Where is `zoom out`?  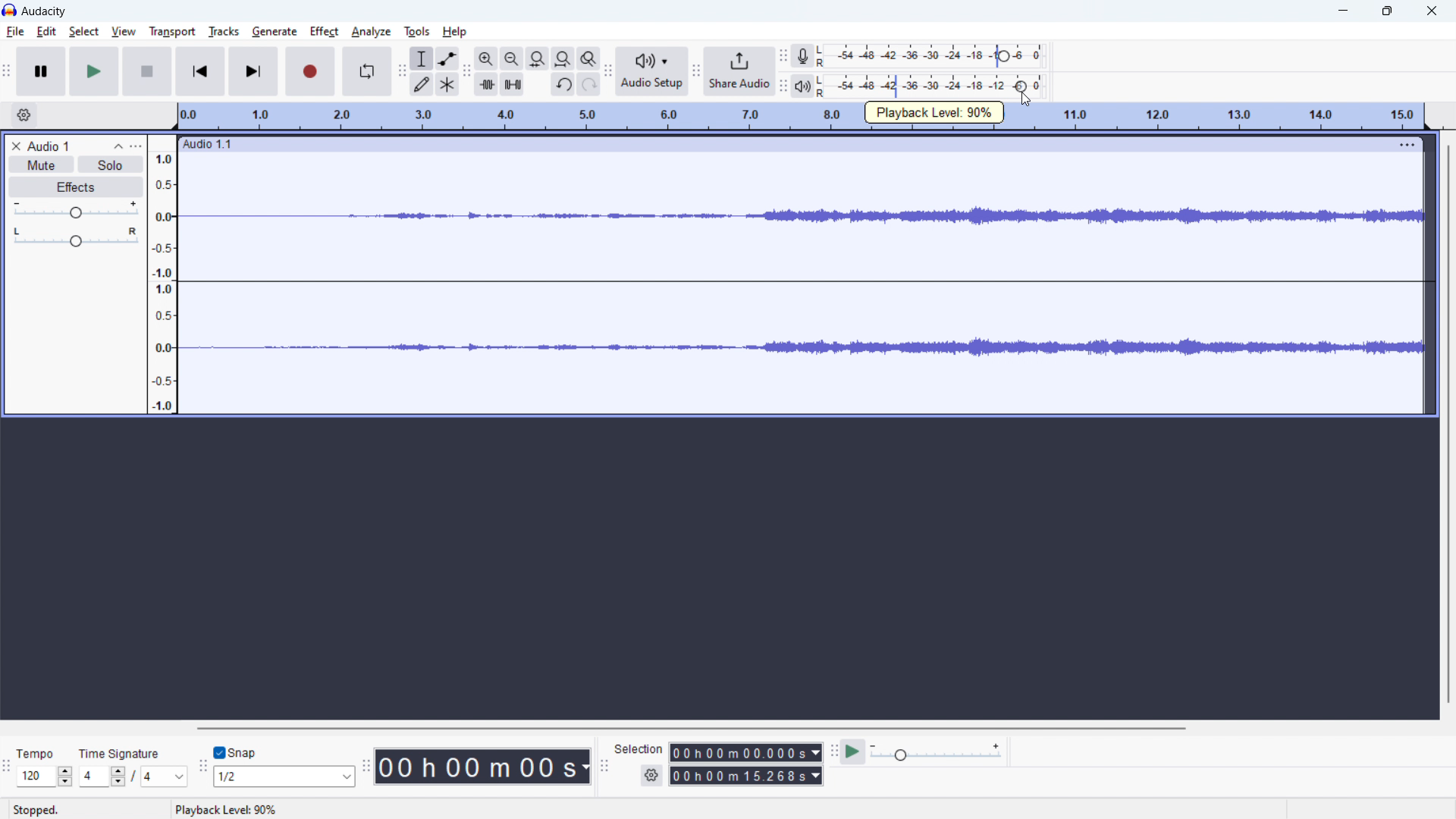 zoom out is located at coordinates (512, 58).